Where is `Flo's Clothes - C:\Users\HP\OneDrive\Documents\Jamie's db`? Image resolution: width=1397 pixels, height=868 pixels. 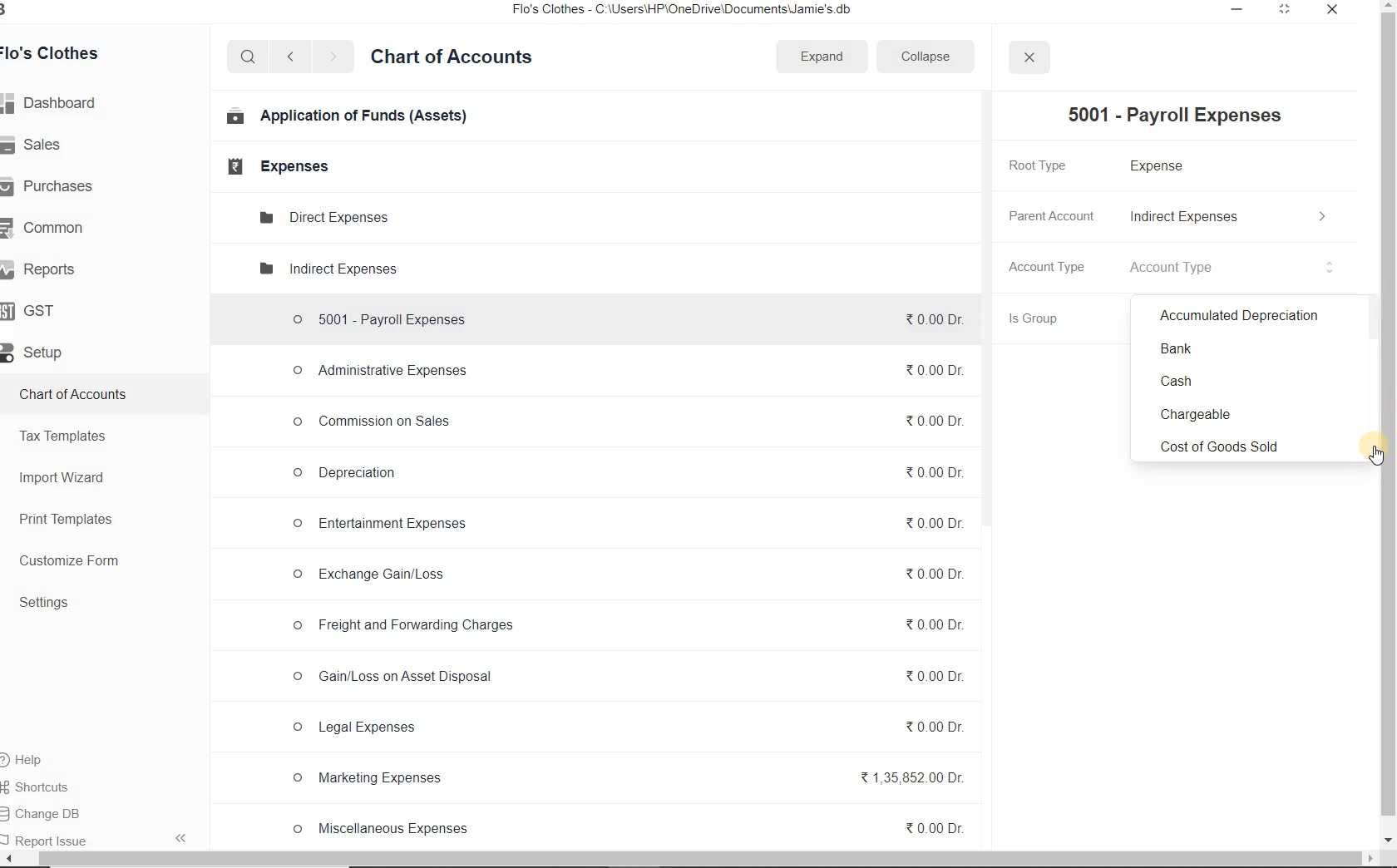
Flo's Clothes - C:\Users\HP\OneDrive\Documents\Jamie's db is located at coordinates (689, 11).